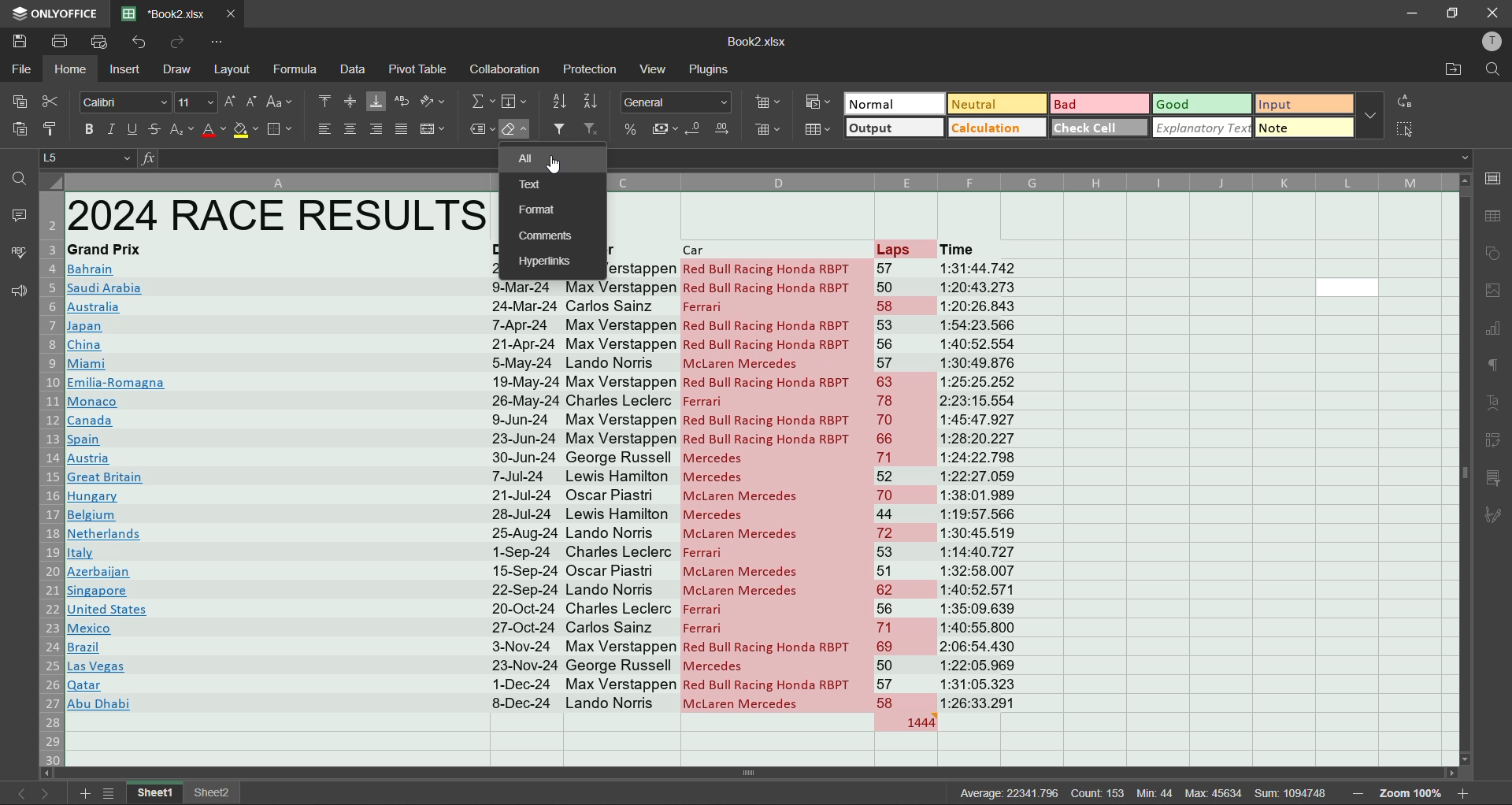 The image size is (1512, 805). Describe the element at coordinates (483, 103) in the screenshot. I see `summation` at that location.